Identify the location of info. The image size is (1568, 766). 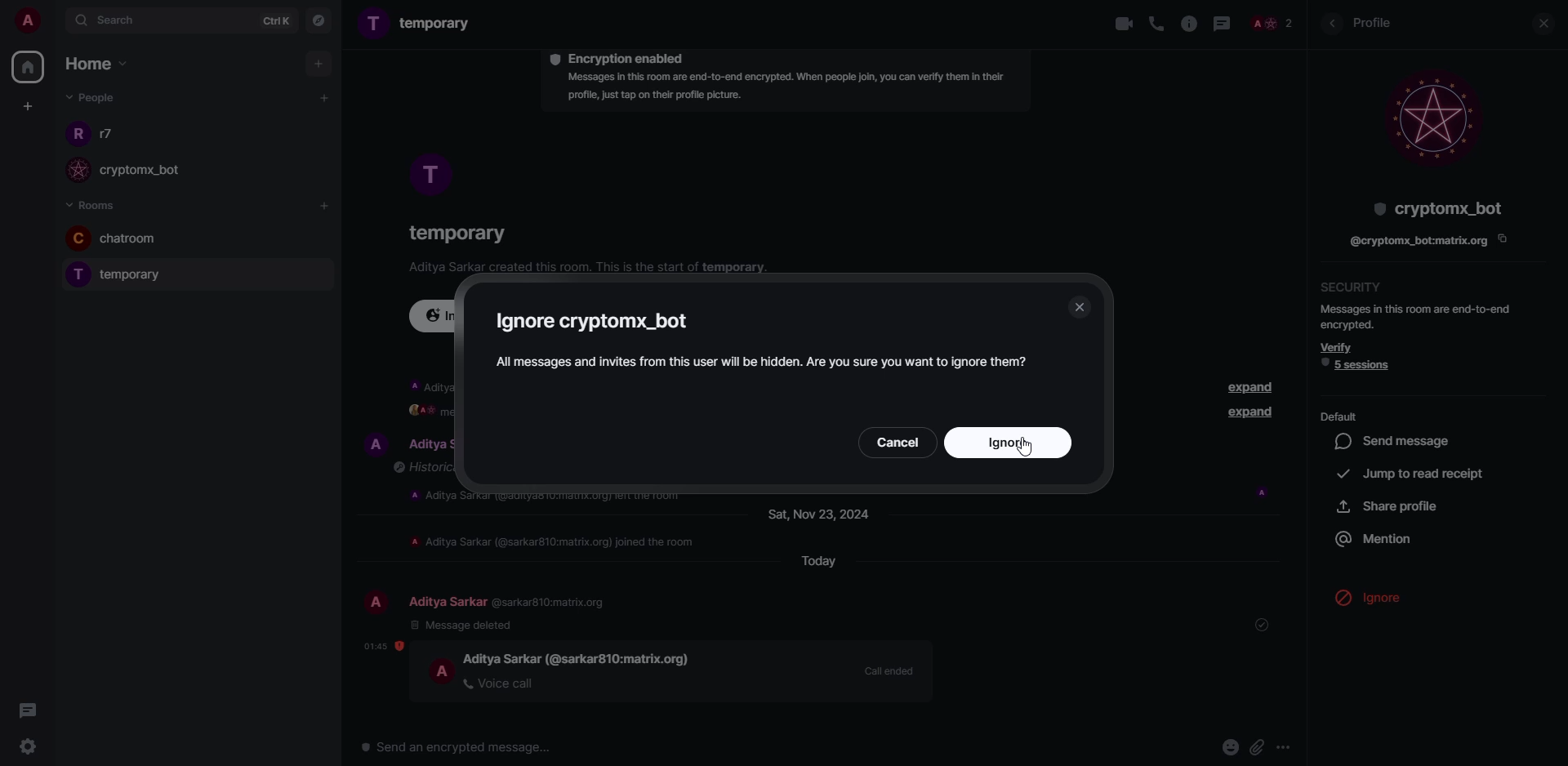
(765, 361).